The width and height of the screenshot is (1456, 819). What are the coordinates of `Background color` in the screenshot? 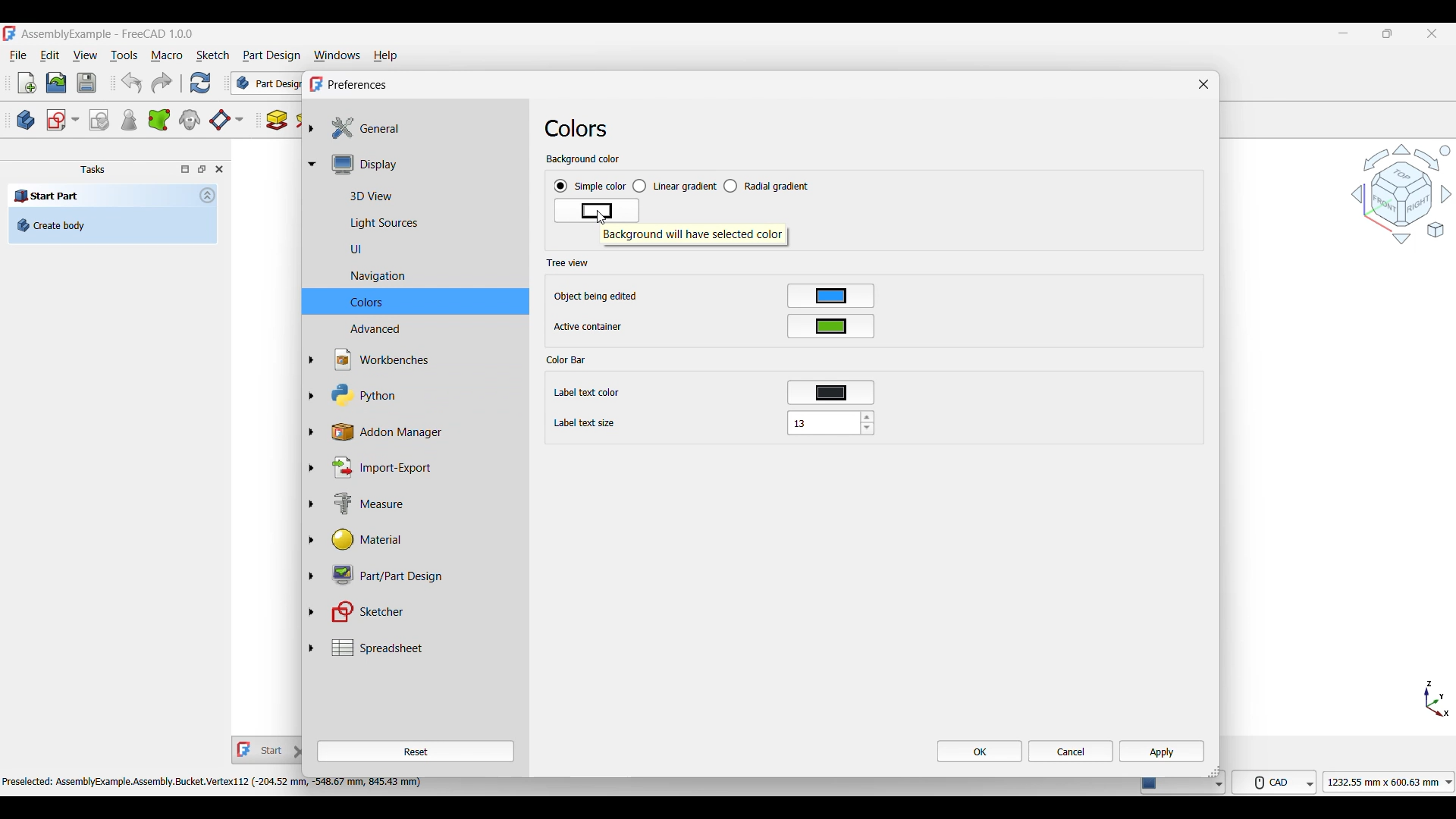 It's located at (583, 160).